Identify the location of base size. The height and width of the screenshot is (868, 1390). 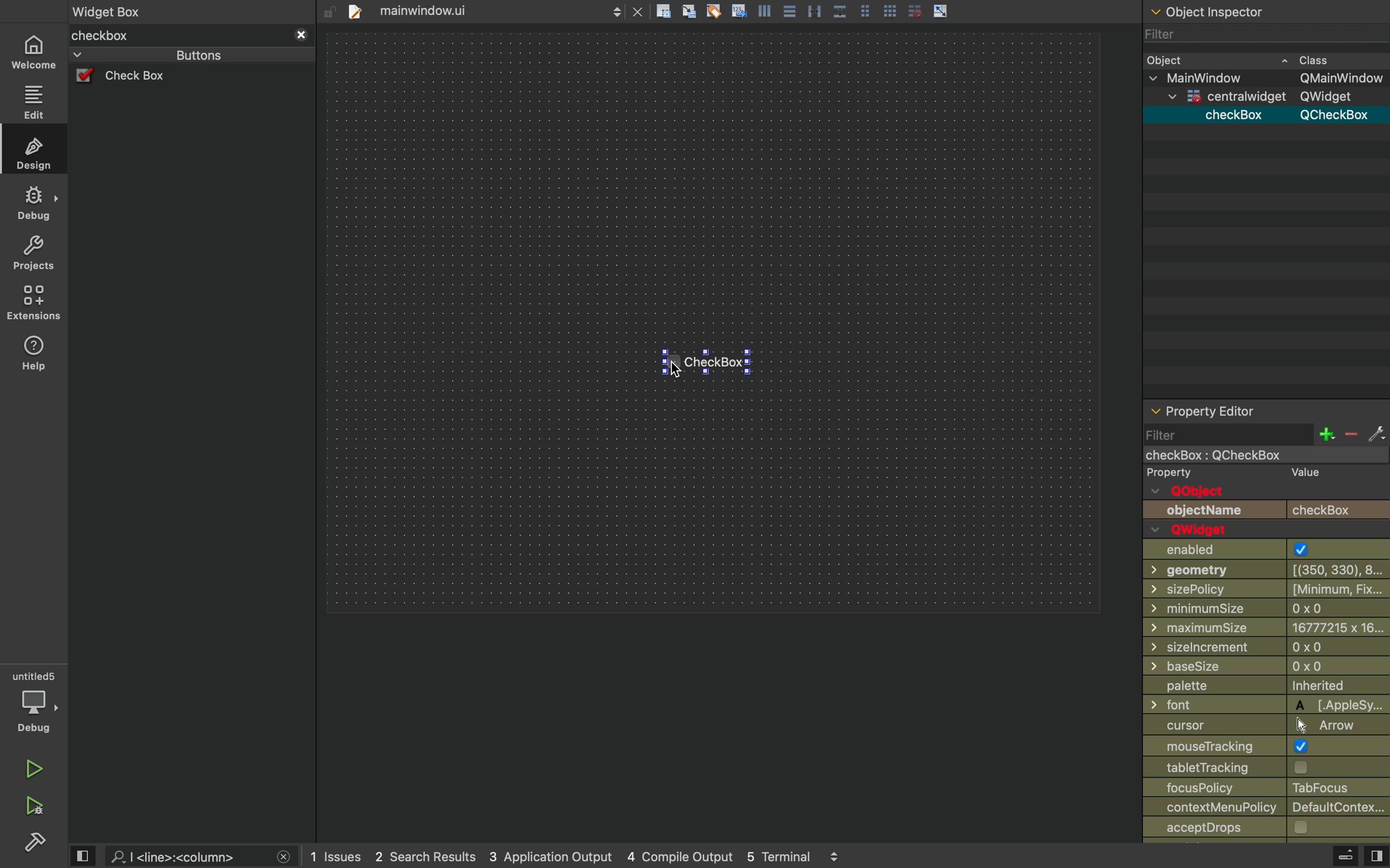
(1268, 668).